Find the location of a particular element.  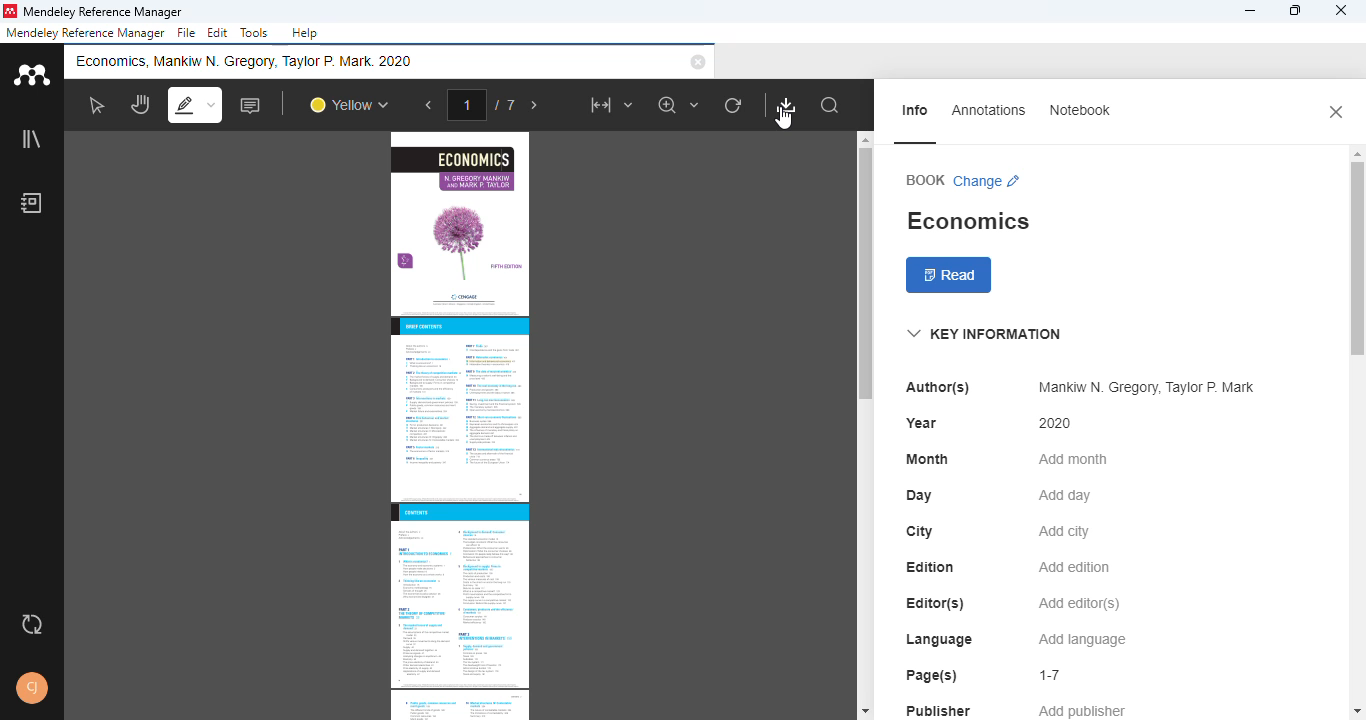

tools is located at coordinates (253, 32).